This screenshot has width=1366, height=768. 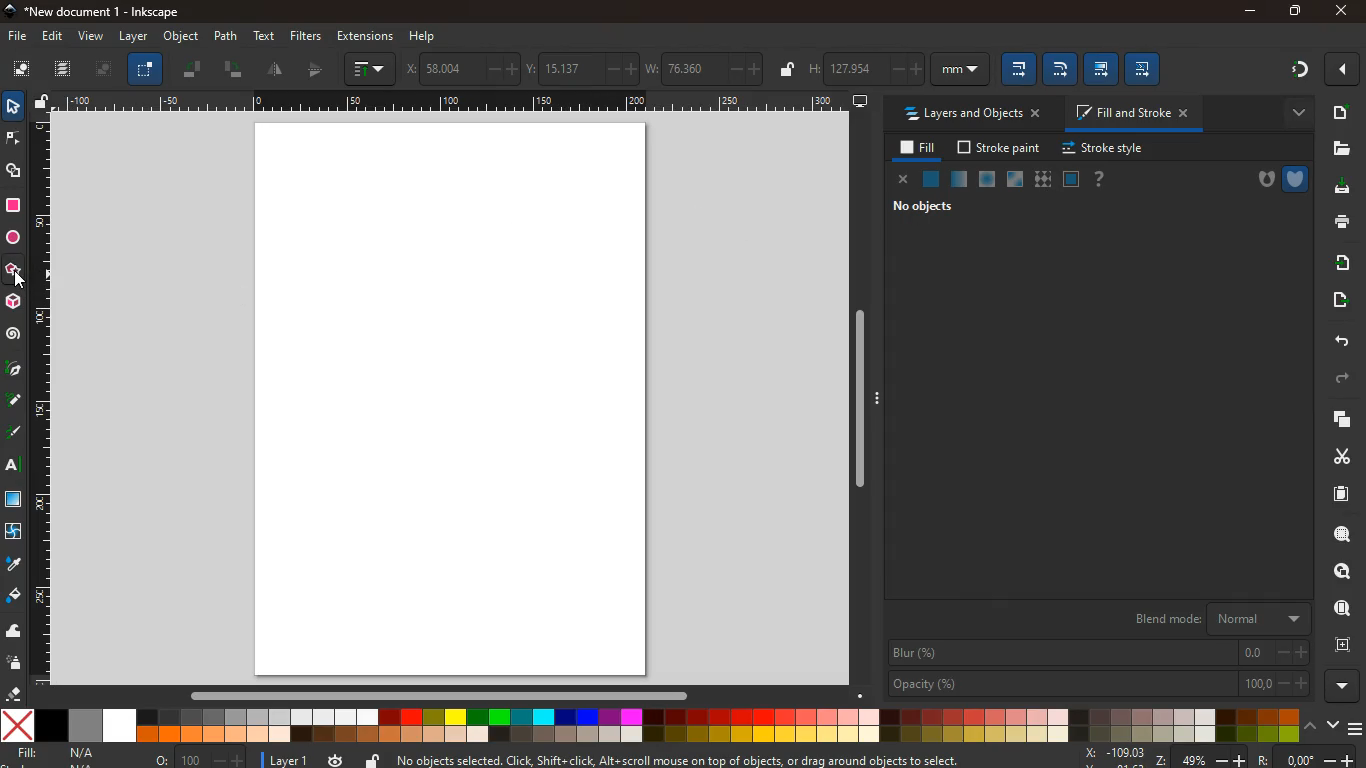 What do you see at coordinates (13, 139) in the screenshot?
I see `edge` at bounding box center [13, 139].